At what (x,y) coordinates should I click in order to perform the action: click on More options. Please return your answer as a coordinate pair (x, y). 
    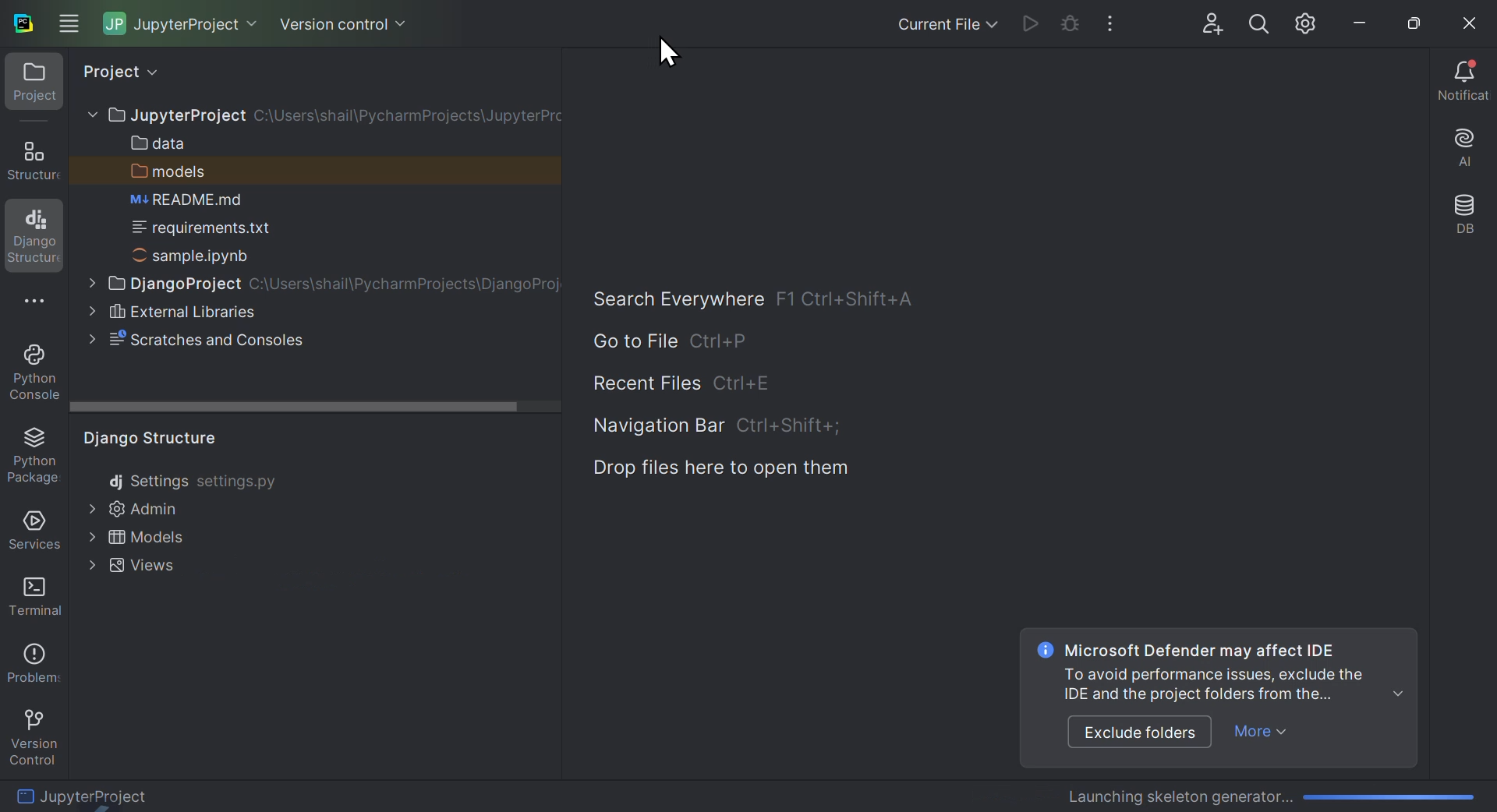
    Looking at the image, I should click on (36, 305).